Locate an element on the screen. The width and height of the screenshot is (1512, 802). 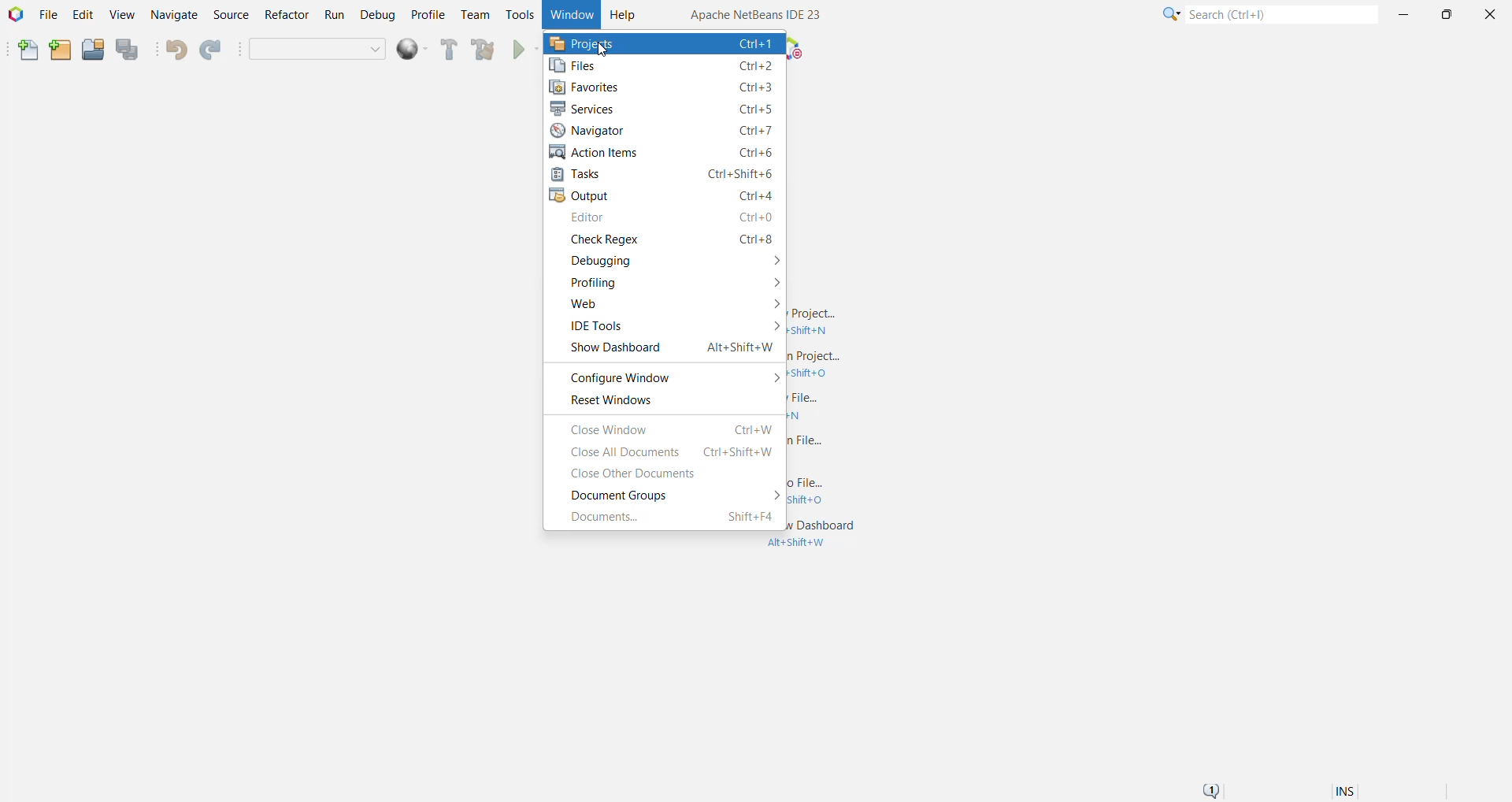
File is located at coordinates (49, 15).